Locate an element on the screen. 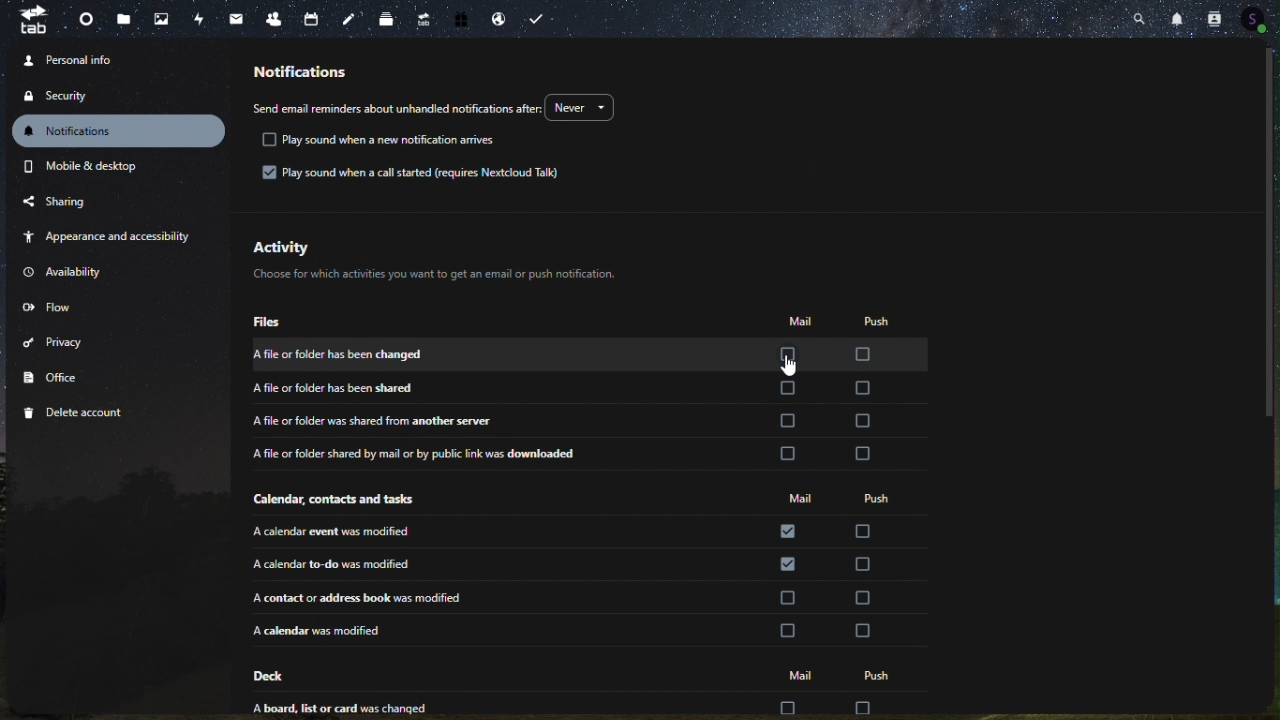  mail is located at coordinates (806, 675).